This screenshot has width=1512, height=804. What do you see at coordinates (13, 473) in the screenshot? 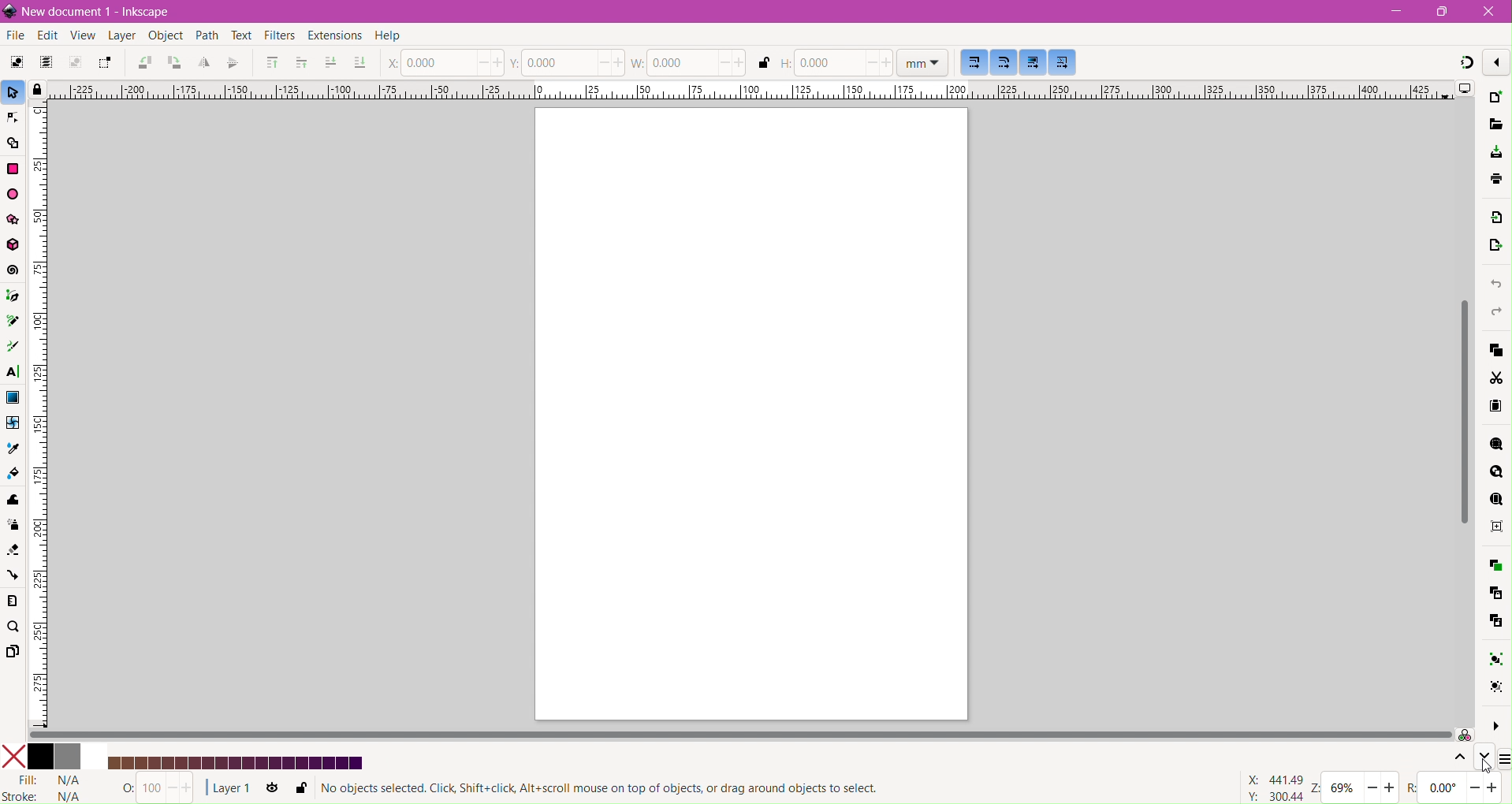
I see `Paint Bucket Tool` at bounding box center [13, 473].